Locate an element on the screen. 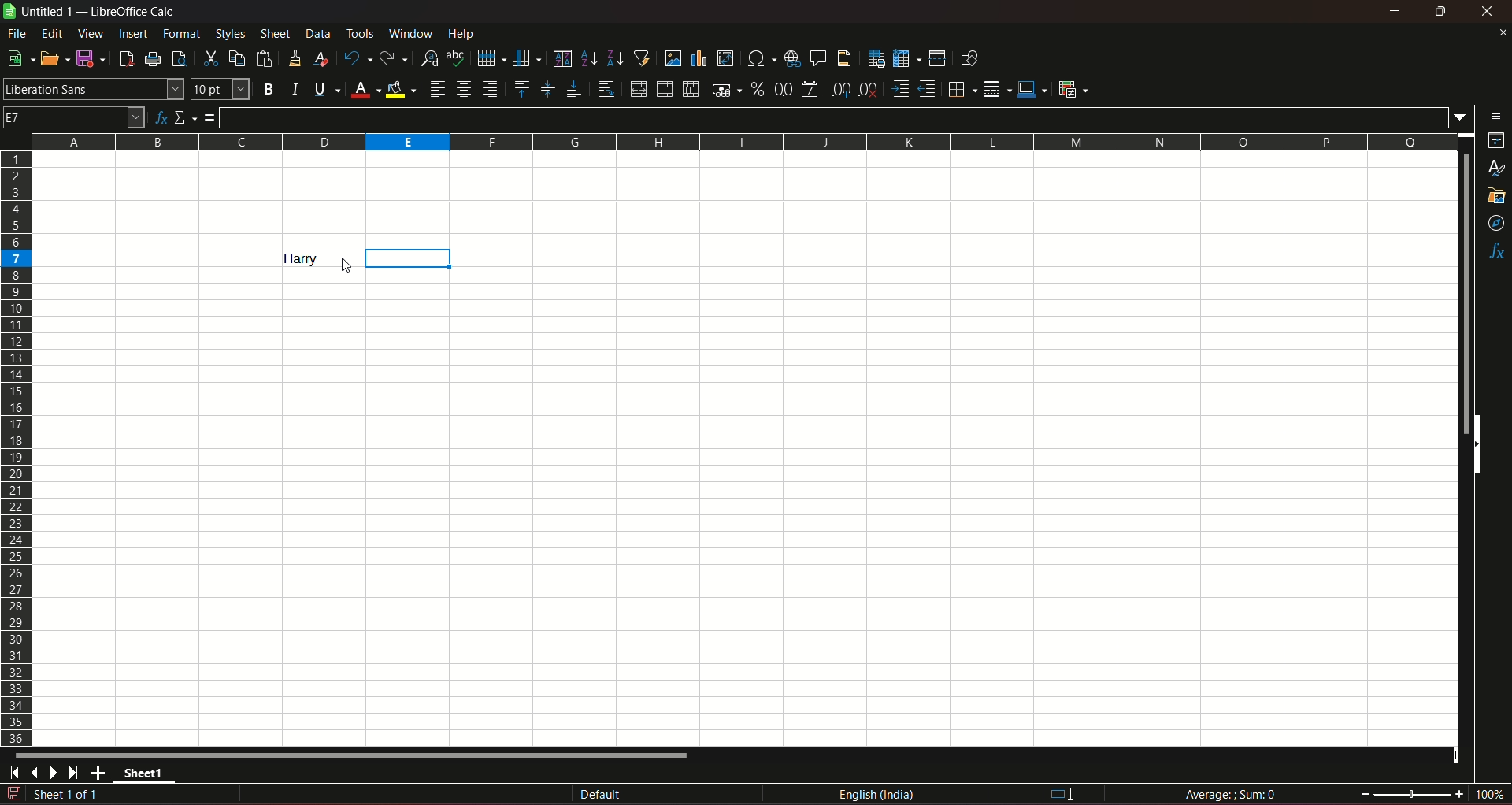 Image resolution: width=1512 pixels, height=805 pixels. align left is located at coordinates (437, 89).